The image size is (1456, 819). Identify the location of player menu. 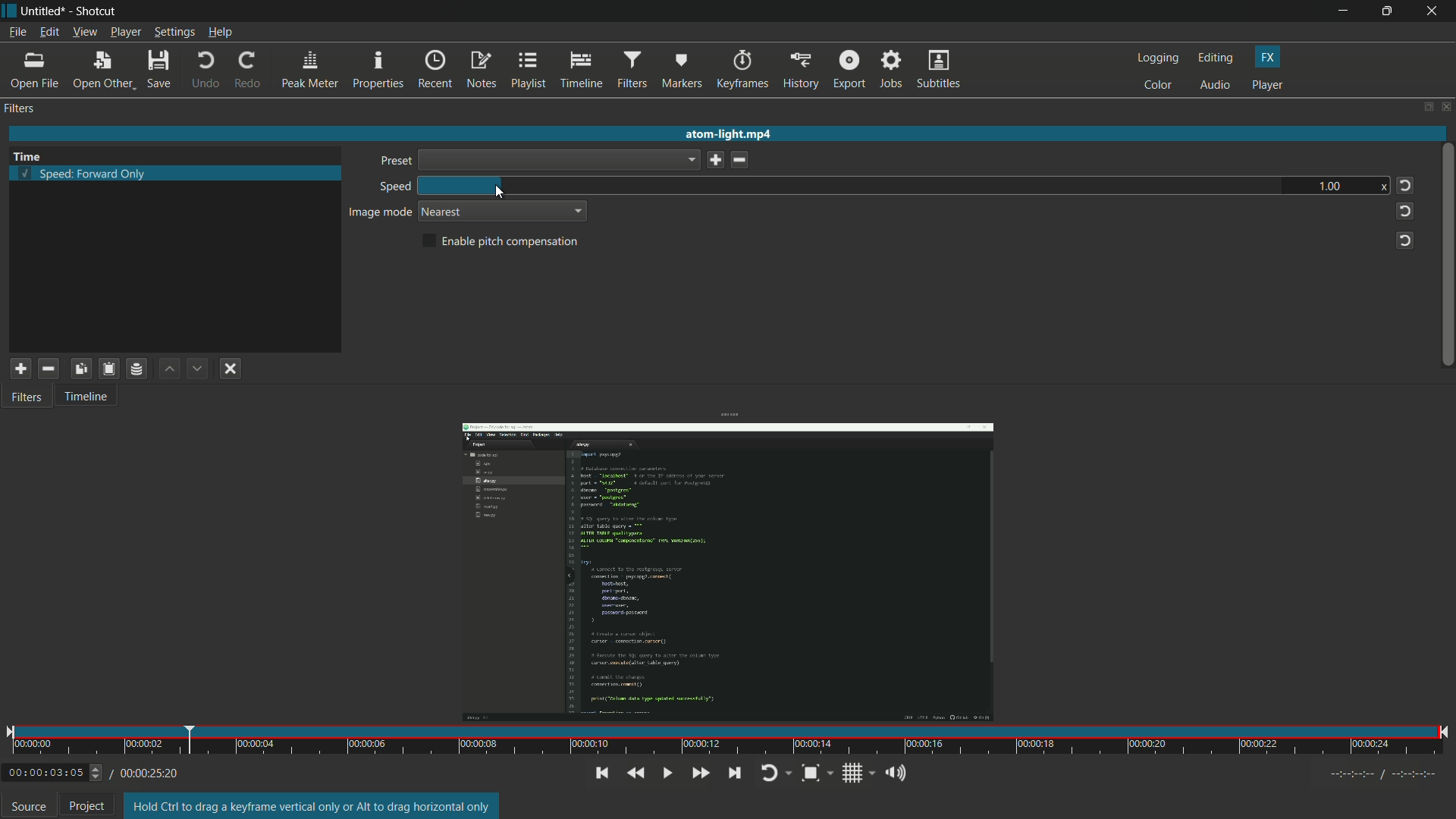
(125, 33).